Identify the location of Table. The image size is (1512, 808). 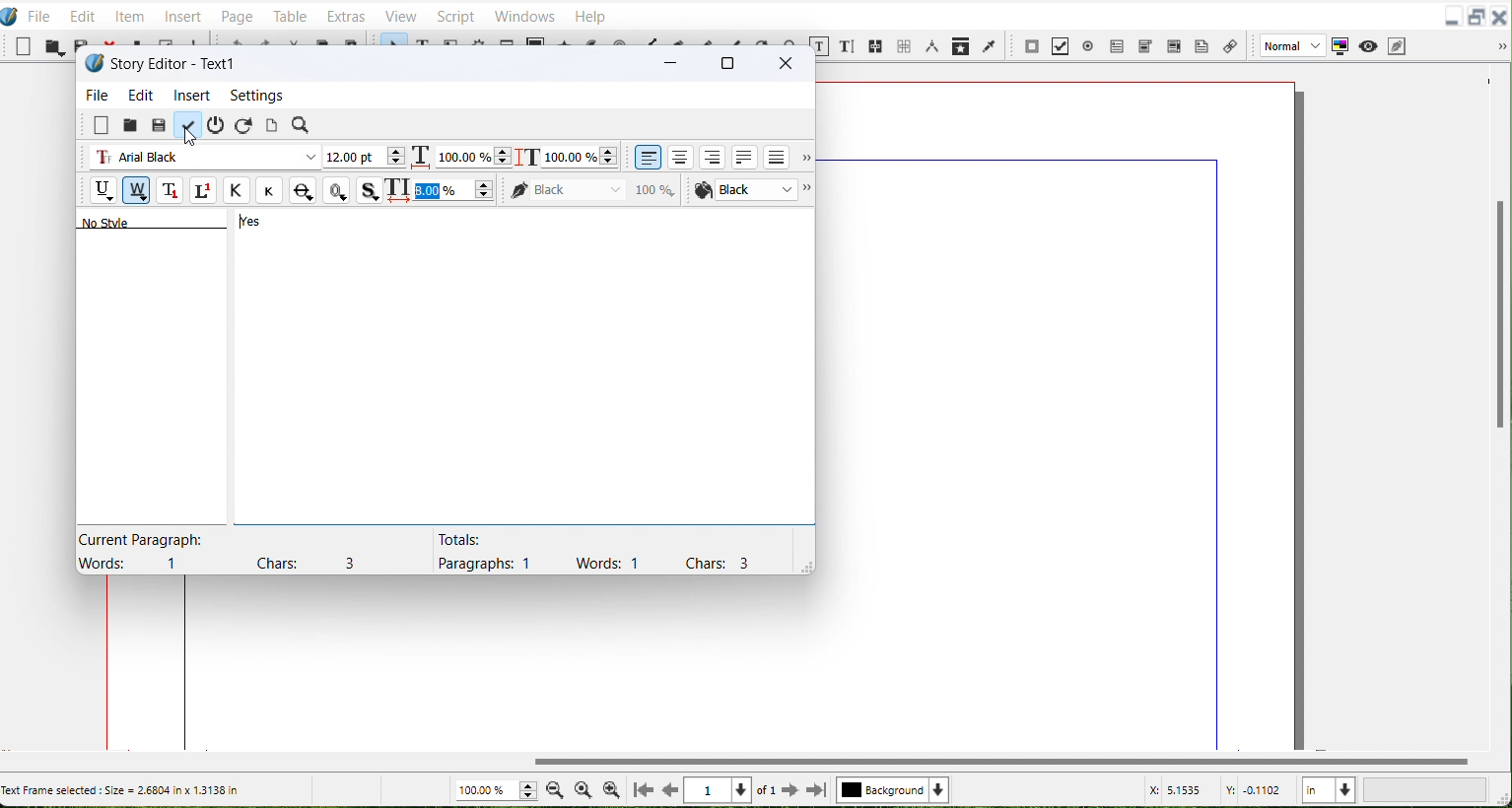
(290, 16).